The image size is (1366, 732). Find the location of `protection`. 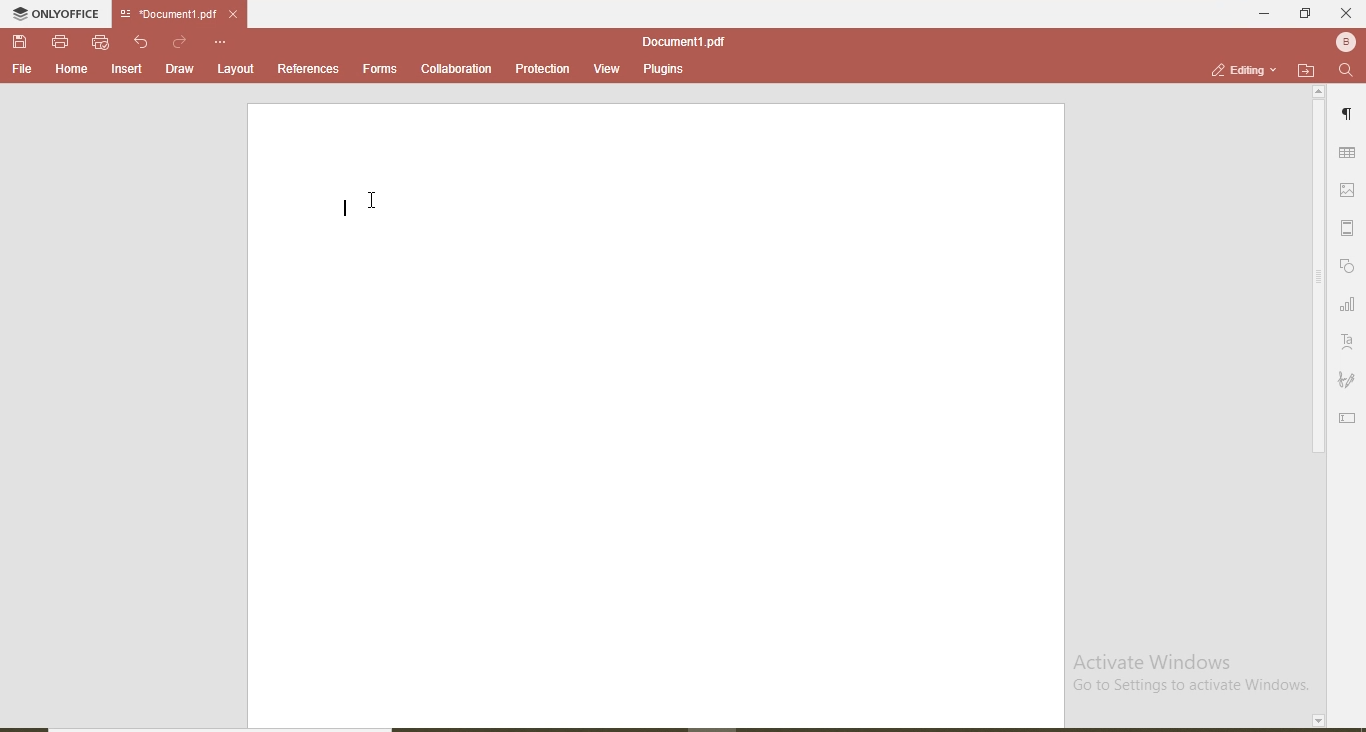

protection is located at coordinates (541, 69).